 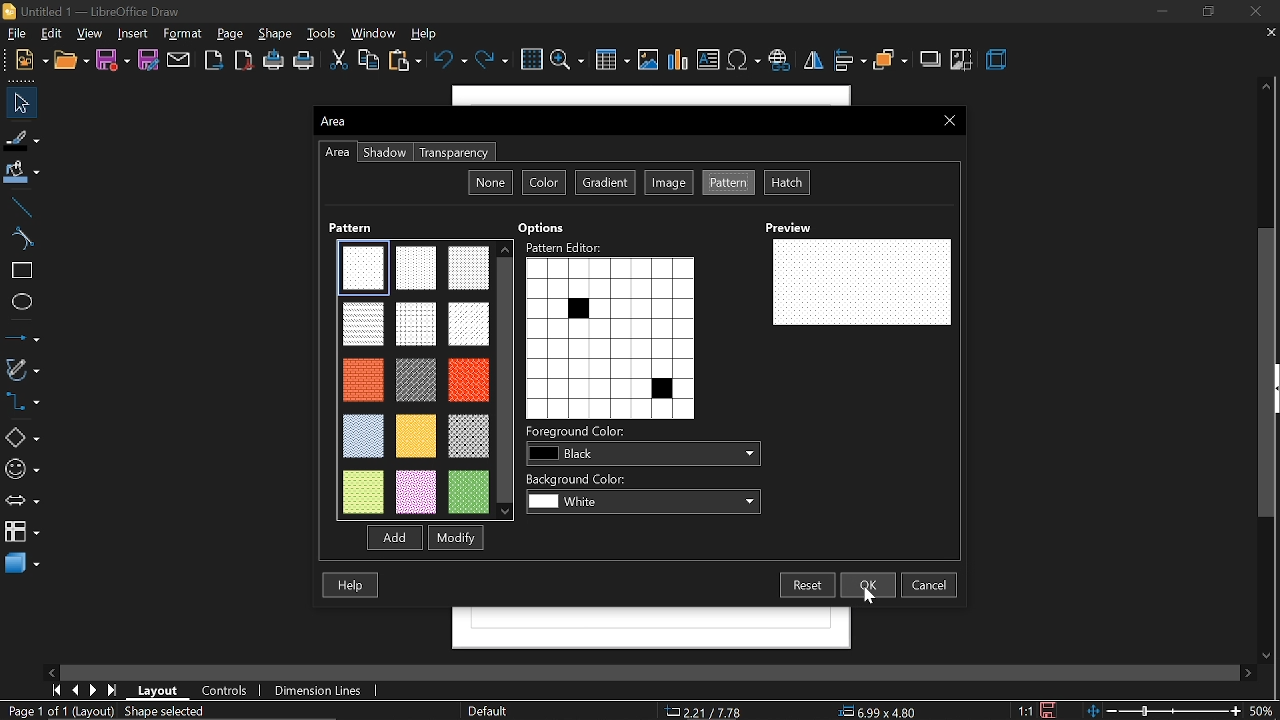 What do you see at coordinates (403, 61) in the screenshot?
I see `paste` at bounding box center [403, 61].